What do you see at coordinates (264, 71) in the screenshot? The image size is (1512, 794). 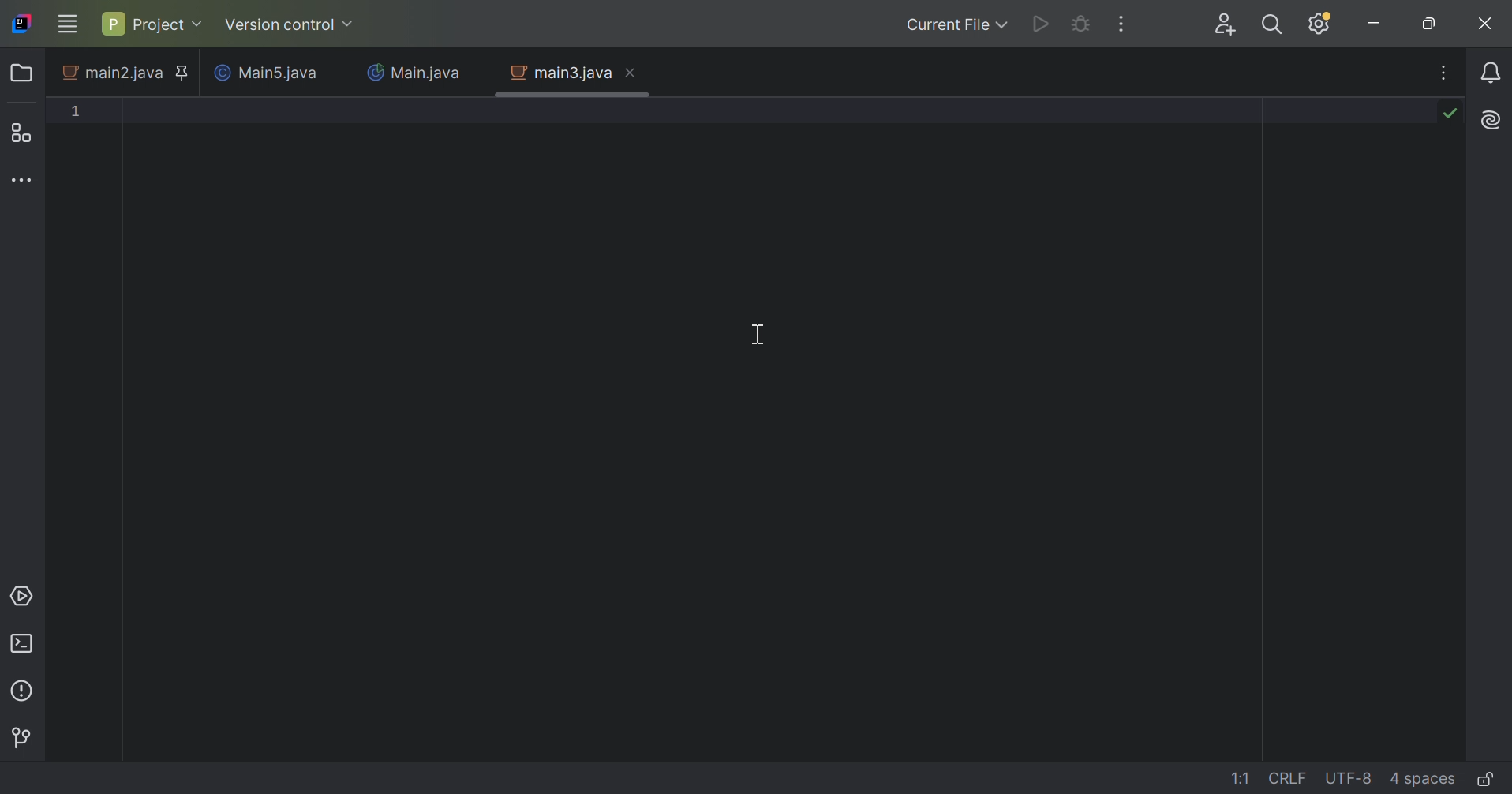 I see `Main5.java` at bounding box center [264, 71].